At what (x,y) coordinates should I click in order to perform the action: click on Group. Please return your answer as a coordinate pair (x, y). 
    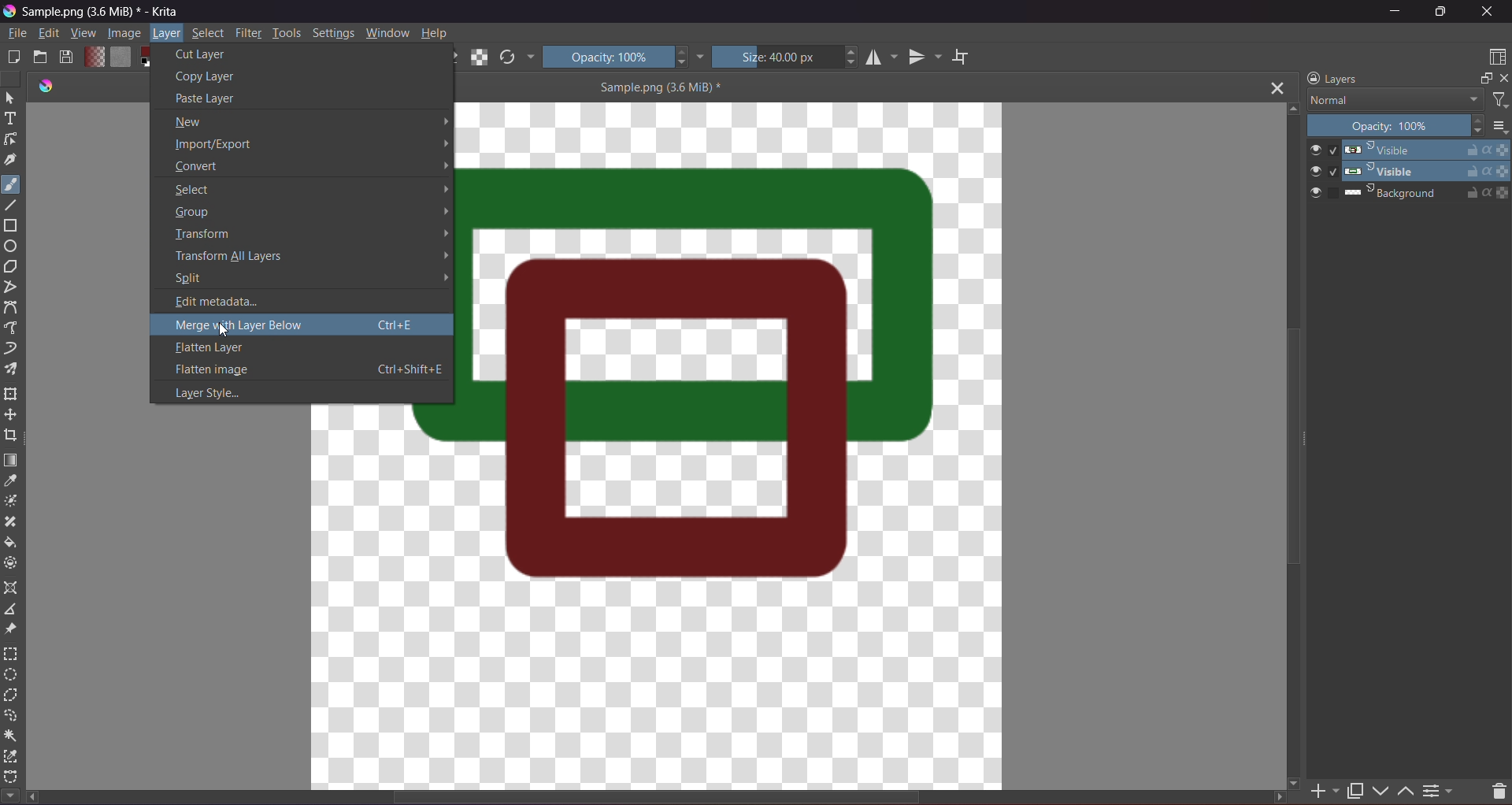
    Looking at the image, I should click on (309, 213).